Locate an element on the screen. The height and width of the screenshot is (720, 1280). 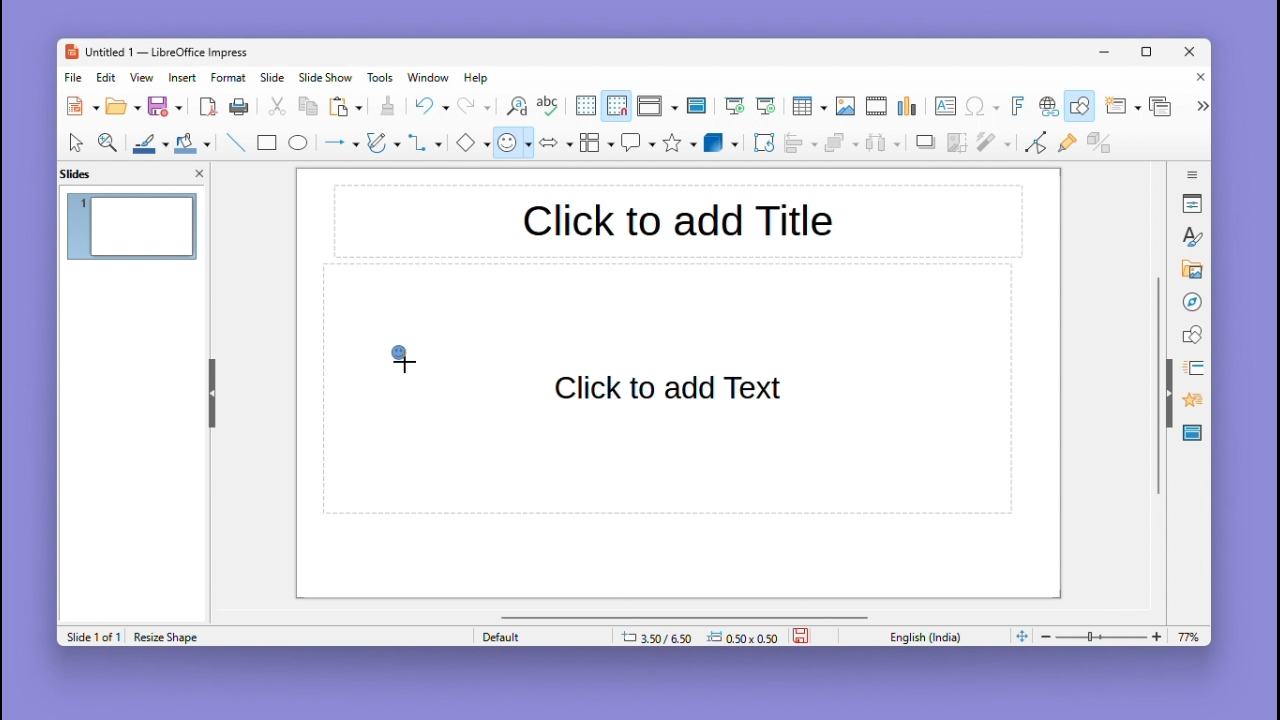
Align is located at coordinates (800, 143).